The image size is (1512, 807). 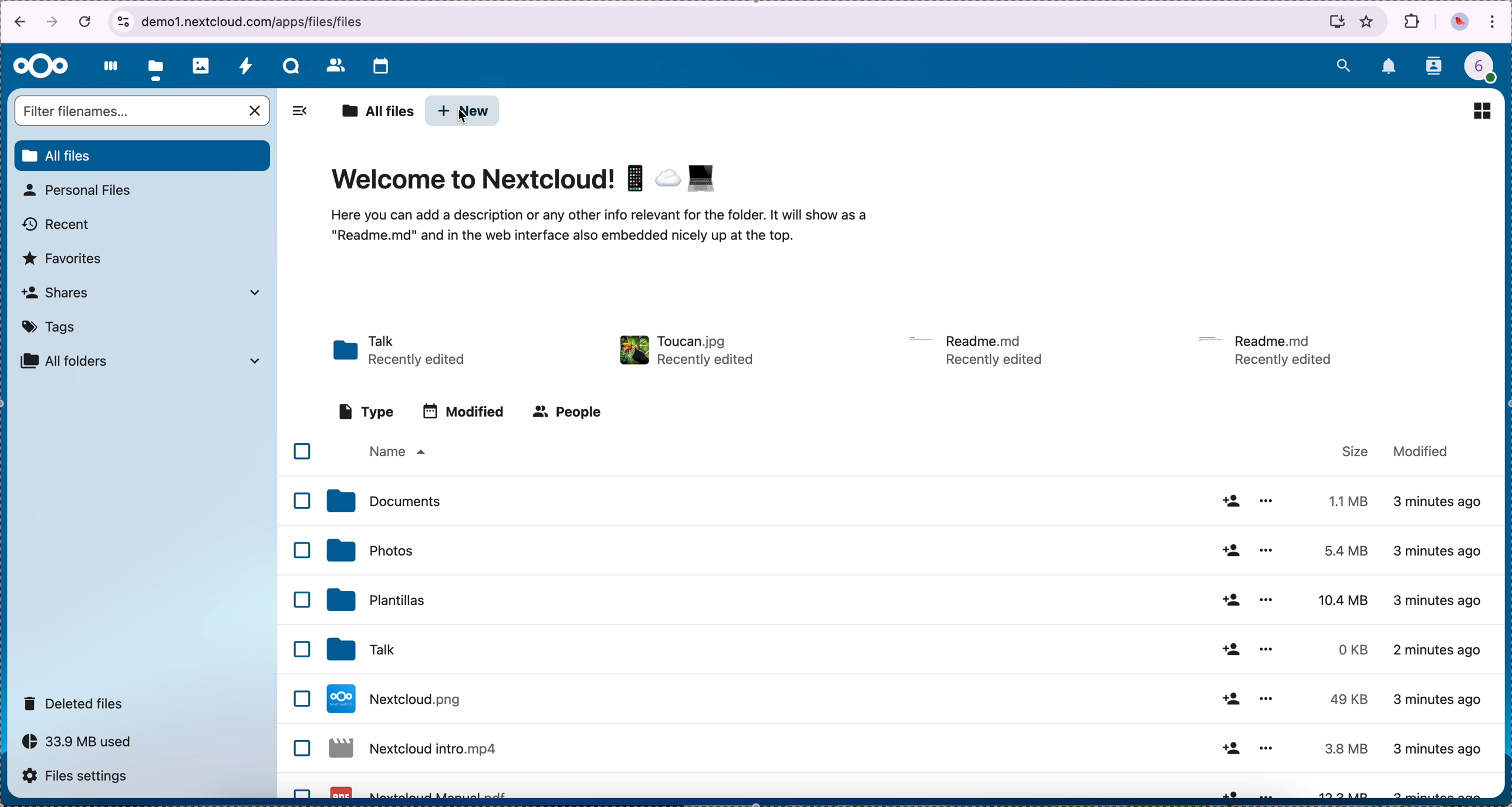 What do you see at coordinates (1230, 698) in the screenshot?
I see `share` at bounding box center [1230, 698].